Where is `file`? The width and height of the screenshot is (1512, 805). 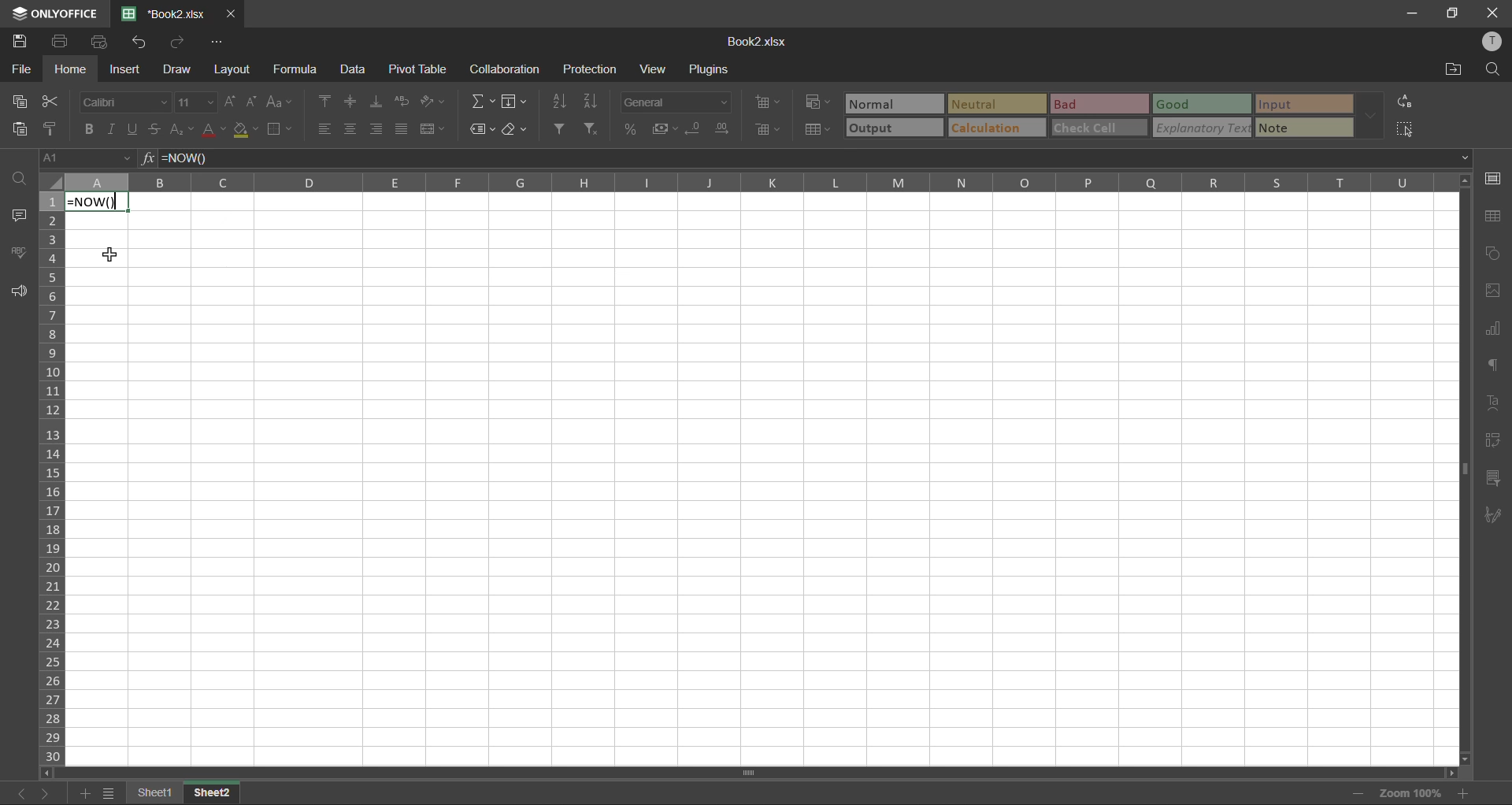 file is located at coordinates (22, 72).